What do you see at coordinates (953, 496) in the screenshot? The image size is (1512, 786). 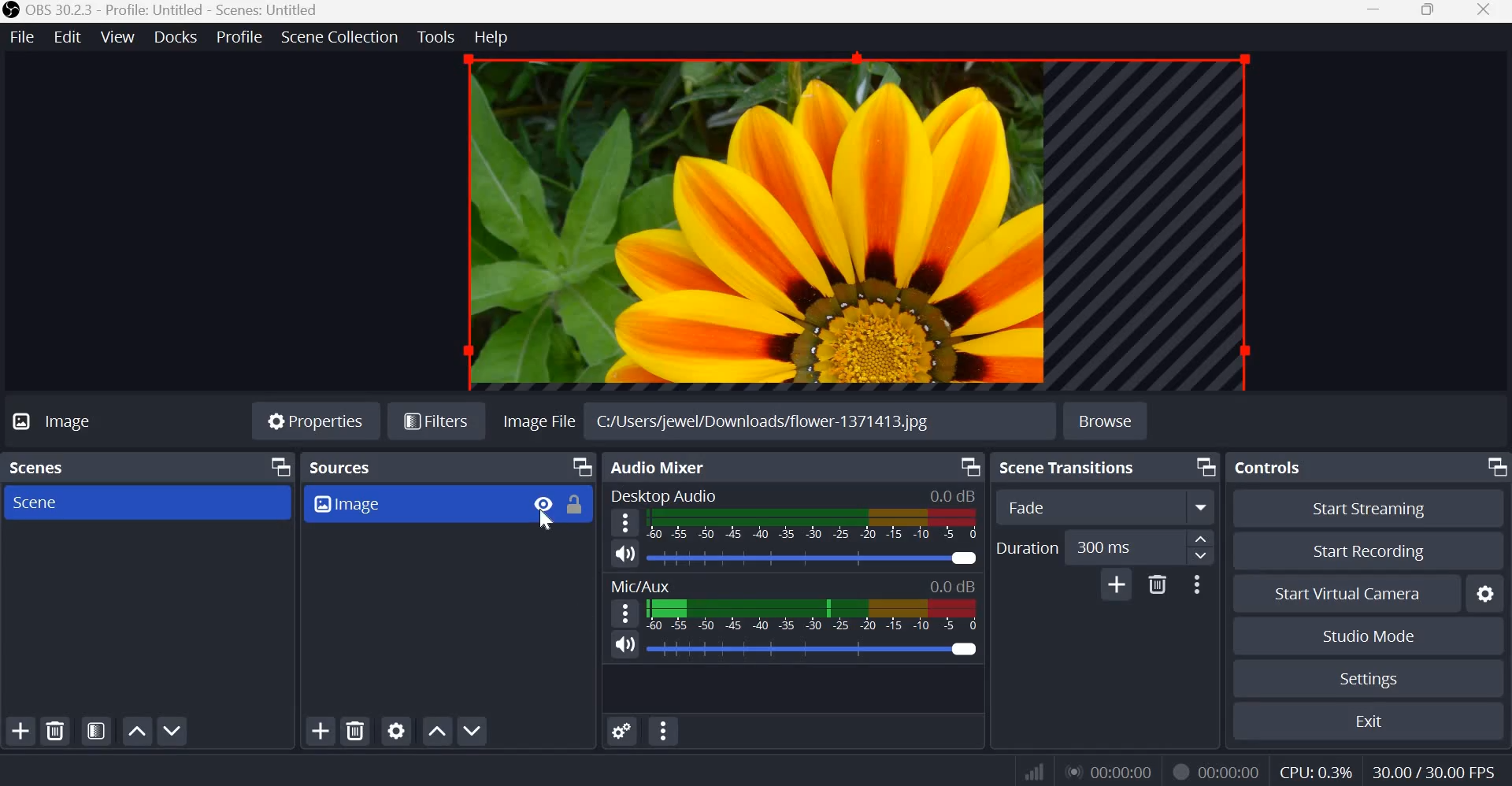 I see `Audio Level Indicator` at bounding box center [953, 496].